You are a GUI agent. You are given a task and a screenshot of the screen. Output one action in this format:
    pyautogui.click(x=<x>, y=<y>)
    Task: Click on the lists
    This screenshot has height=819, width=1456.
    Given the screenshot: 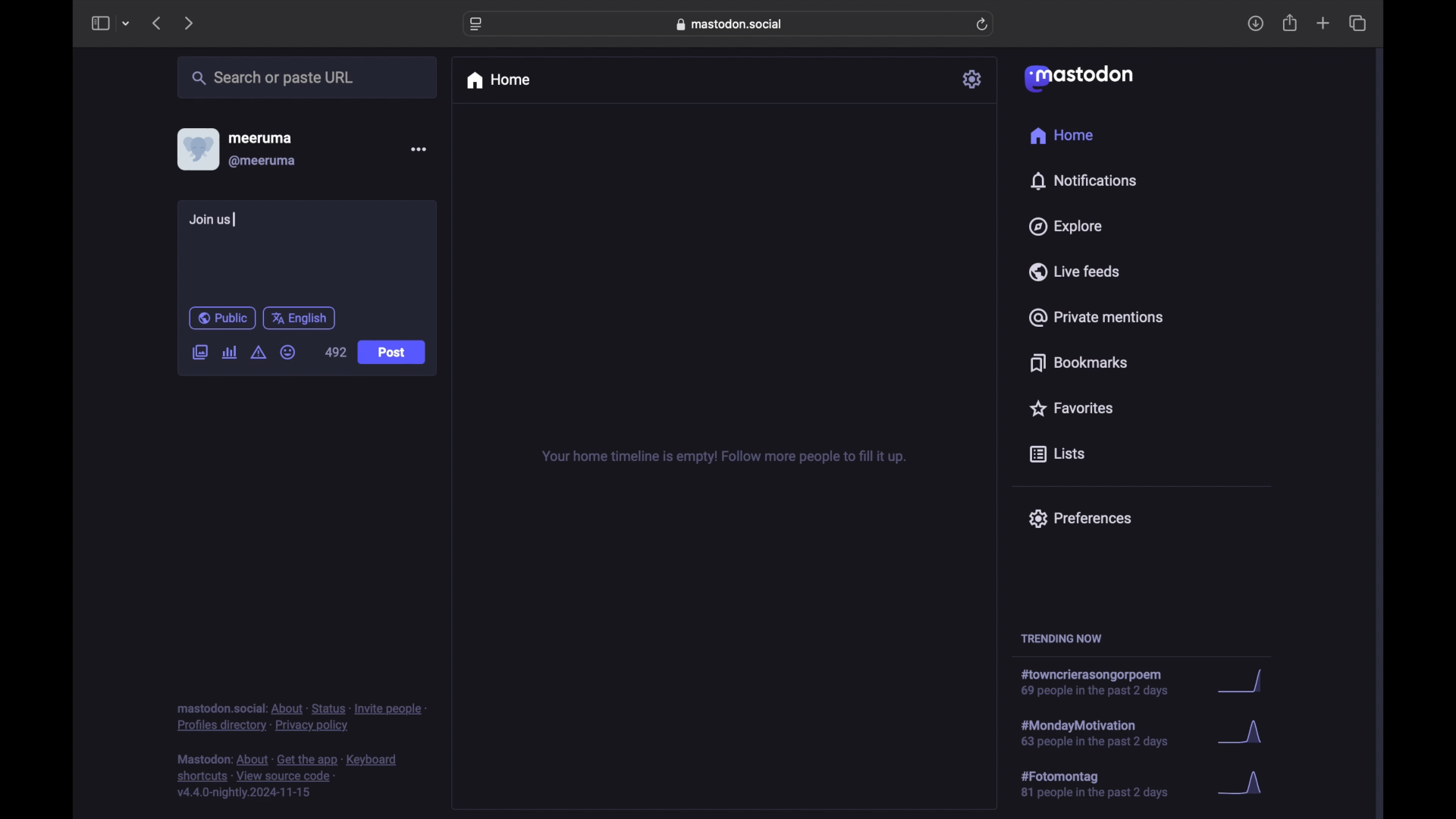 What is the action you would take?
    pyautogui.click(x=1057, y=455)
    